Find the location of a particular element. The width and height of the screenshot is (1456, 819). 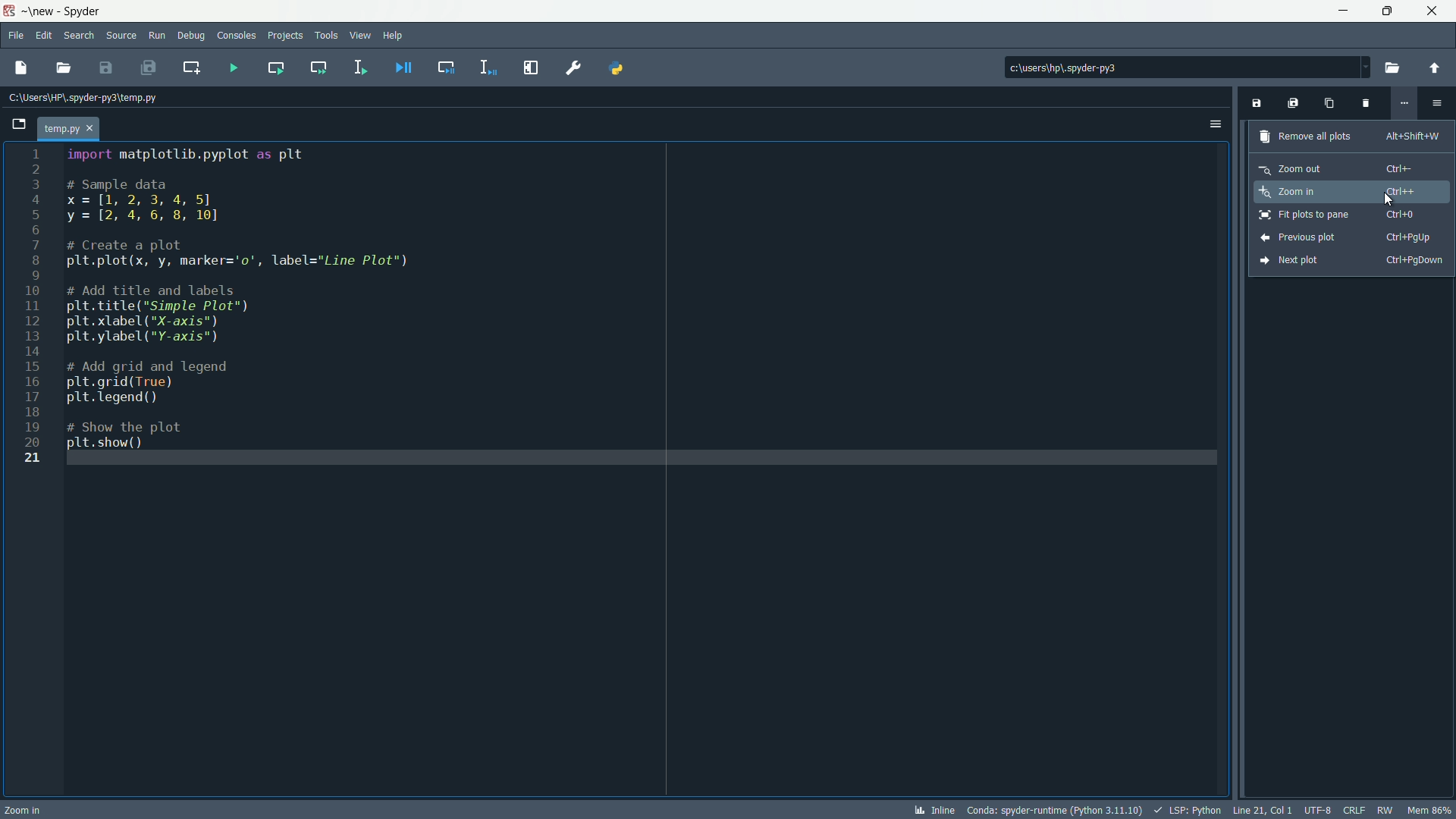

tools menu is located at coordinates (326, 35).